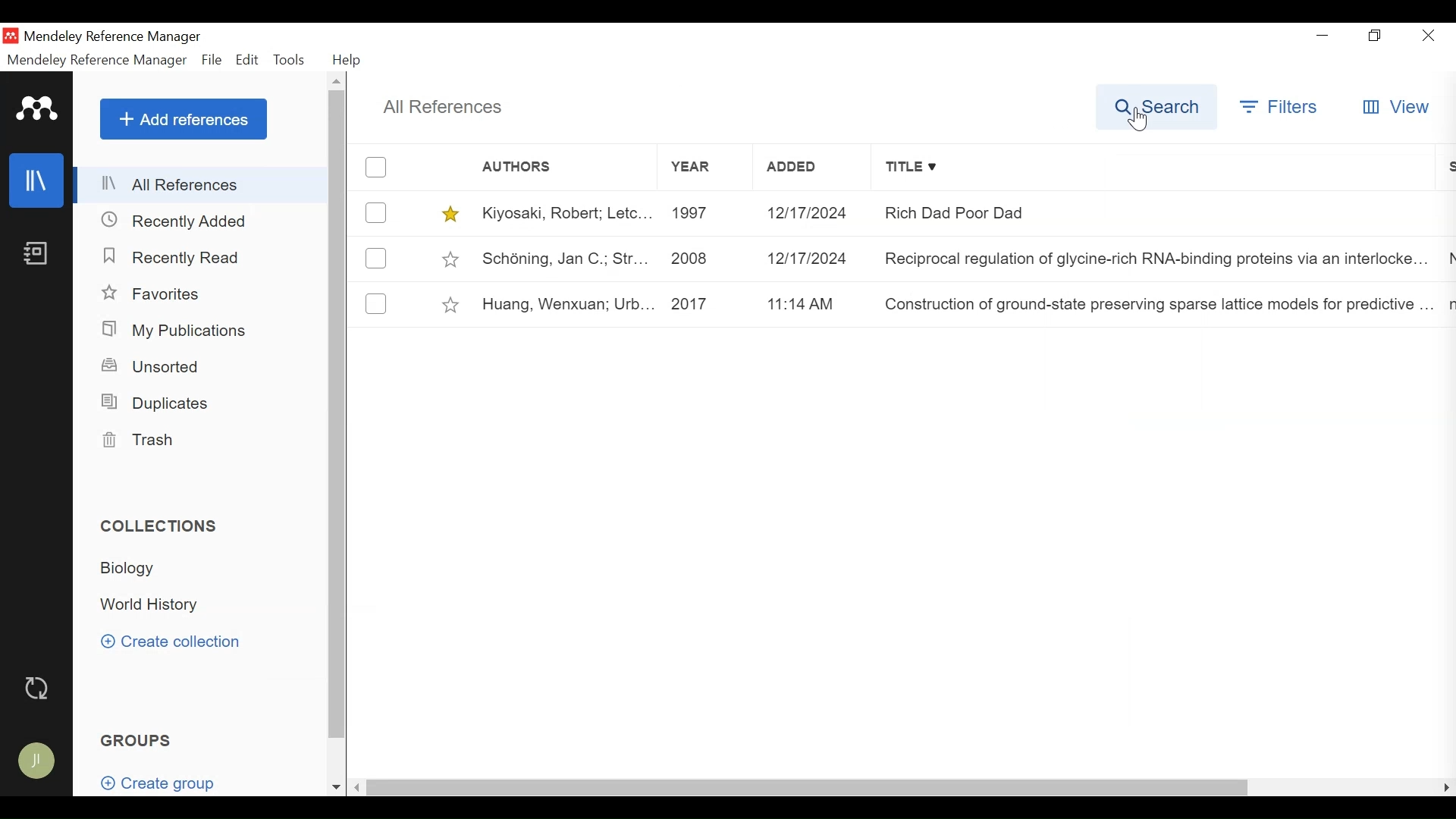  Describe the element at coordinates (143, 440) in the screenshot. I see `Trash` at that location.